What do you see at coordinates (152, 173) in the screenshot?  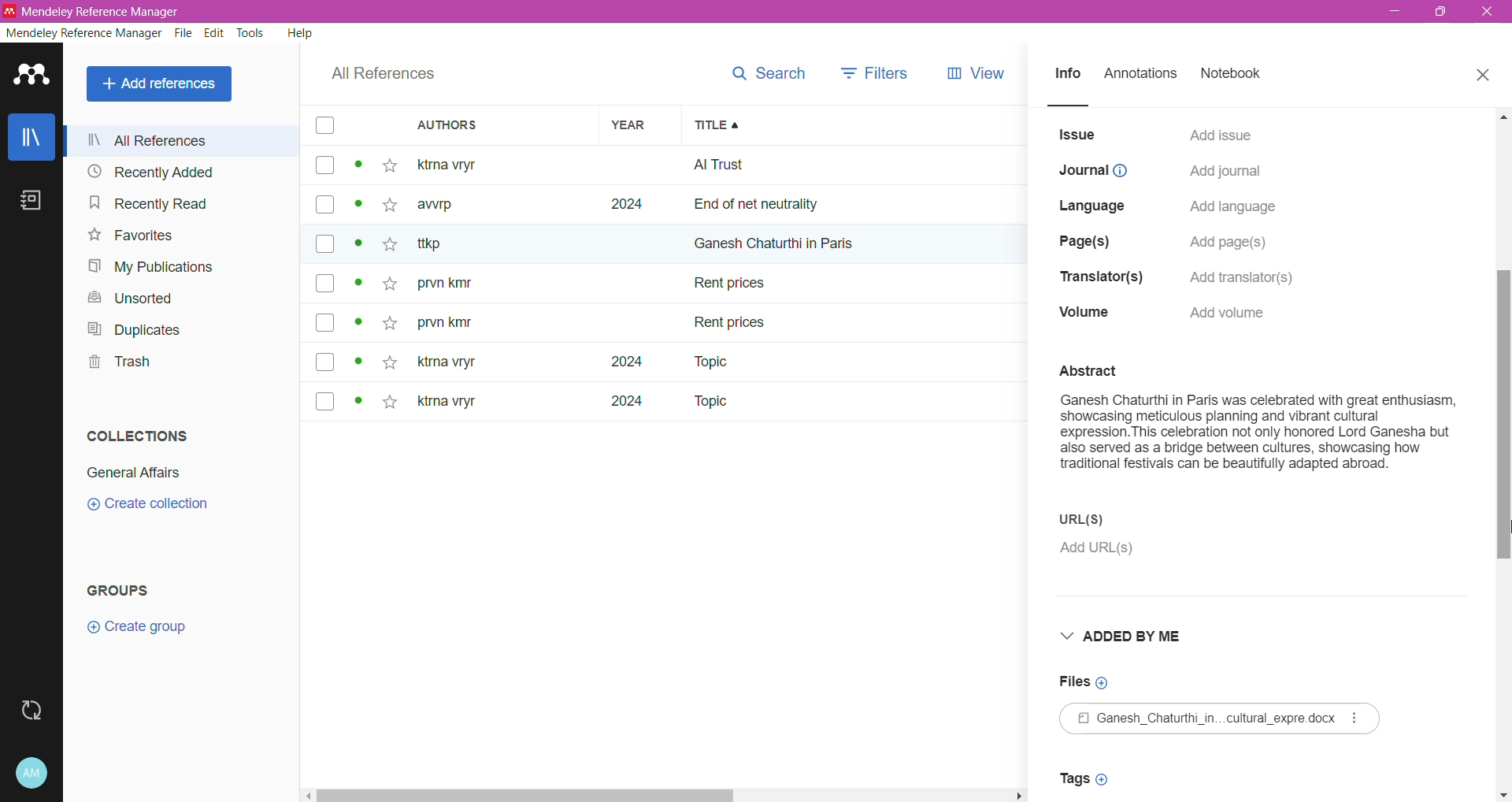 I see `Recently Added` at bounding box center [152, 173].